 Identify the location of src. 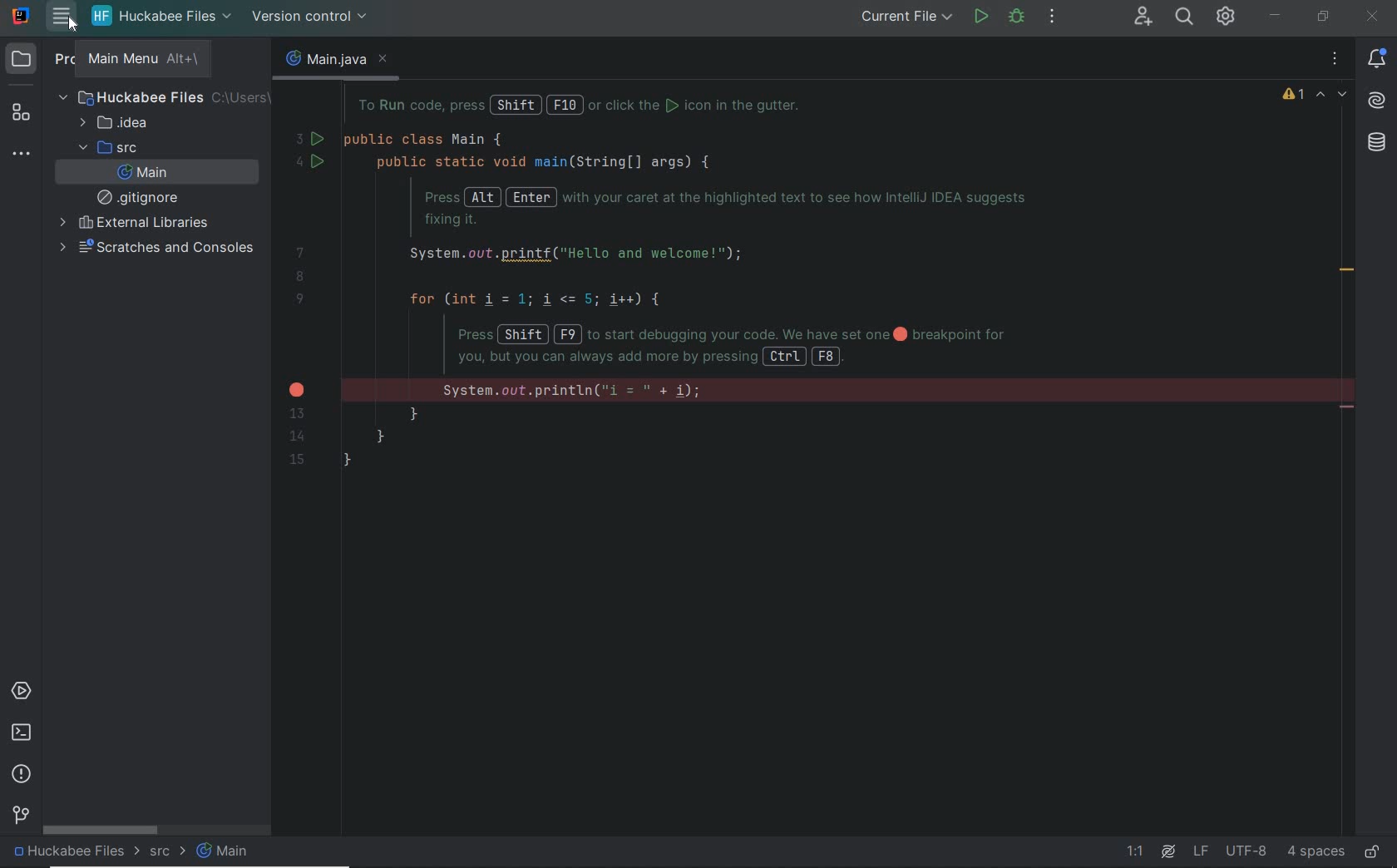
(167, 853).